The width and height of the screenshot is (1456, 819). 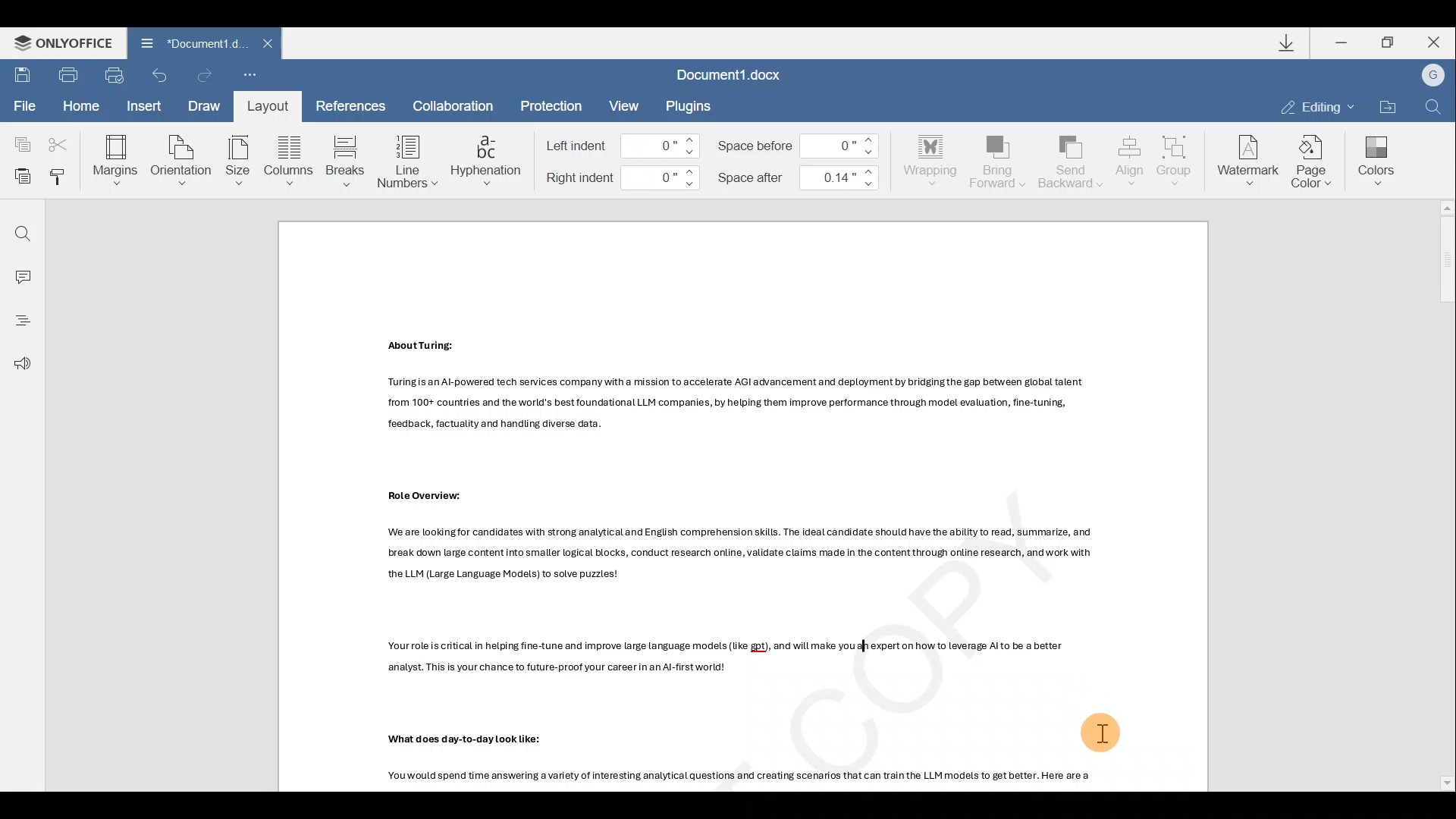 I want to click on Find, so click(x=1433, y=105).